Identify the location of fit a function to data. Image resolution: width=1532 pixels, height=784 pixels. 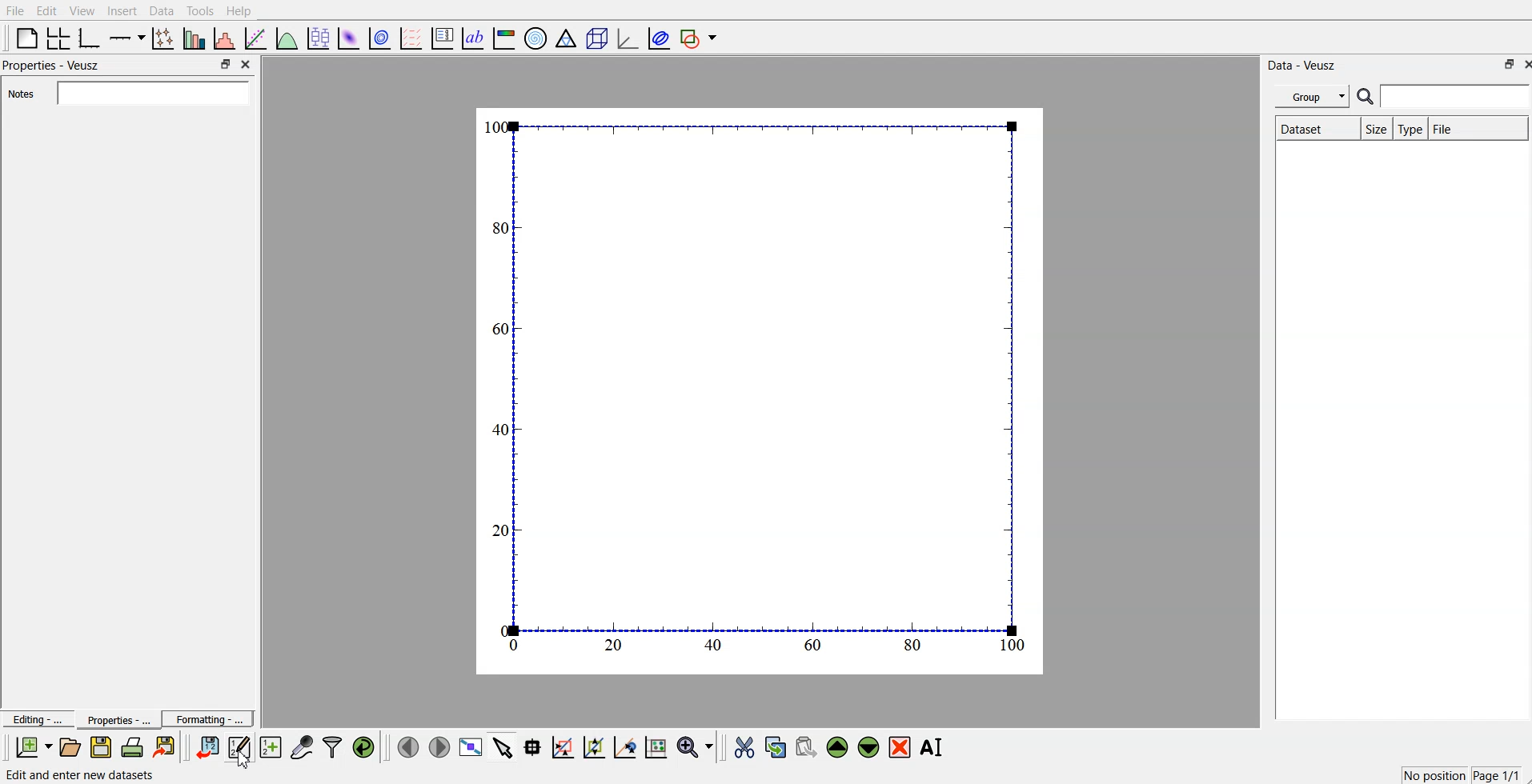
(256, 38).